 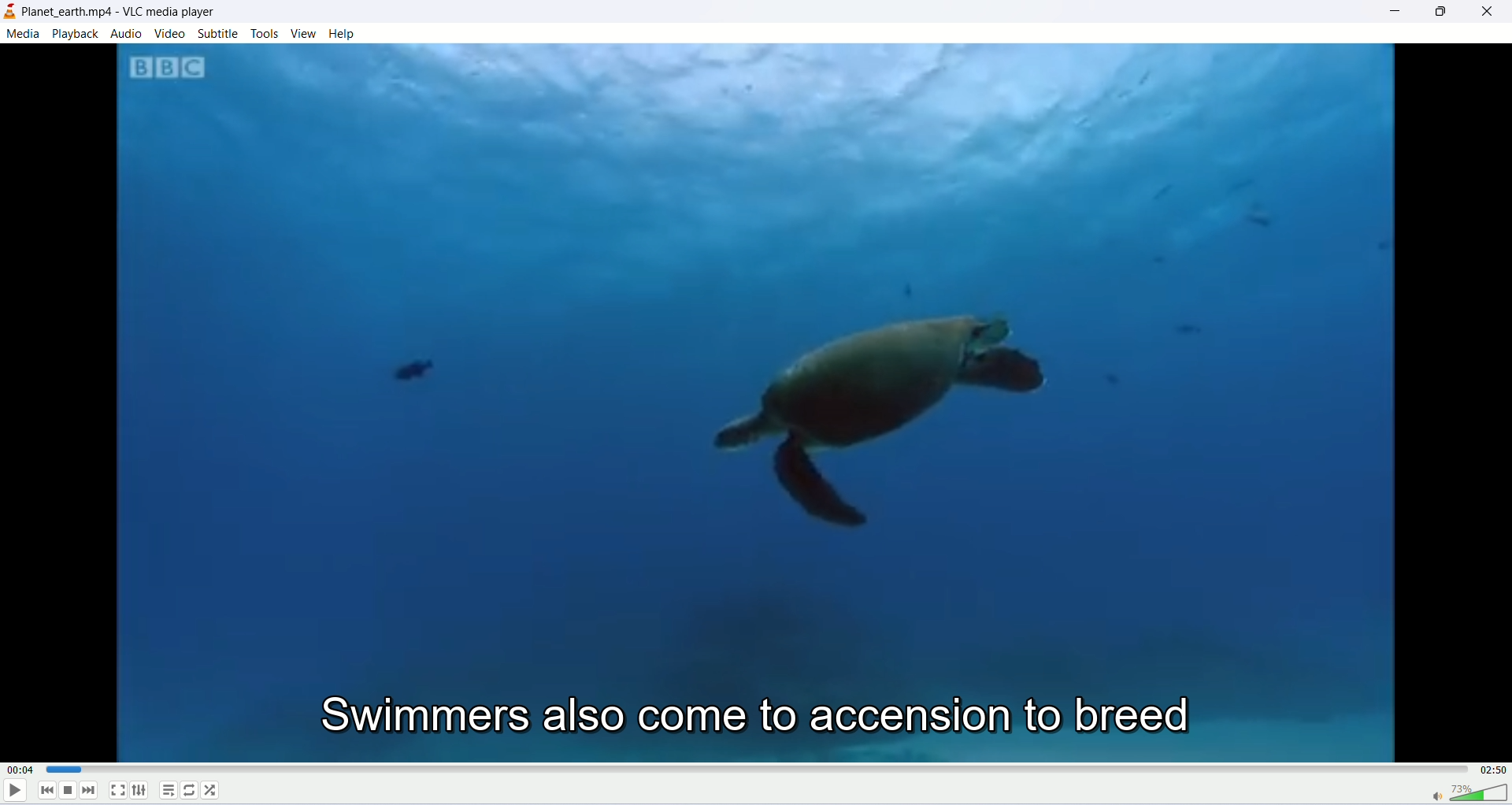 I want to click on playlist, so click(x=169, y=792).